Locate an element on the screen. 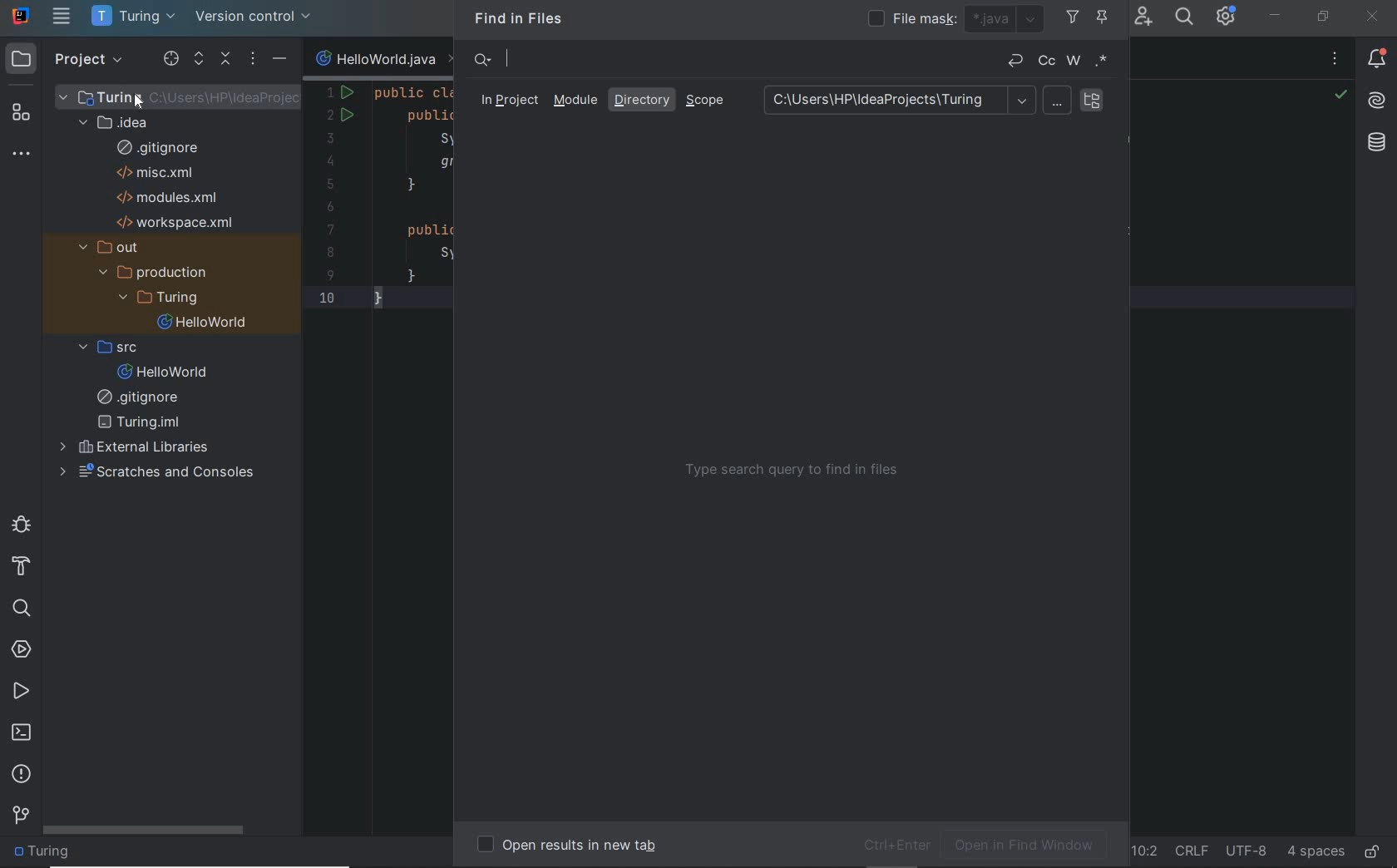  search is located at coordinates (24, 608).